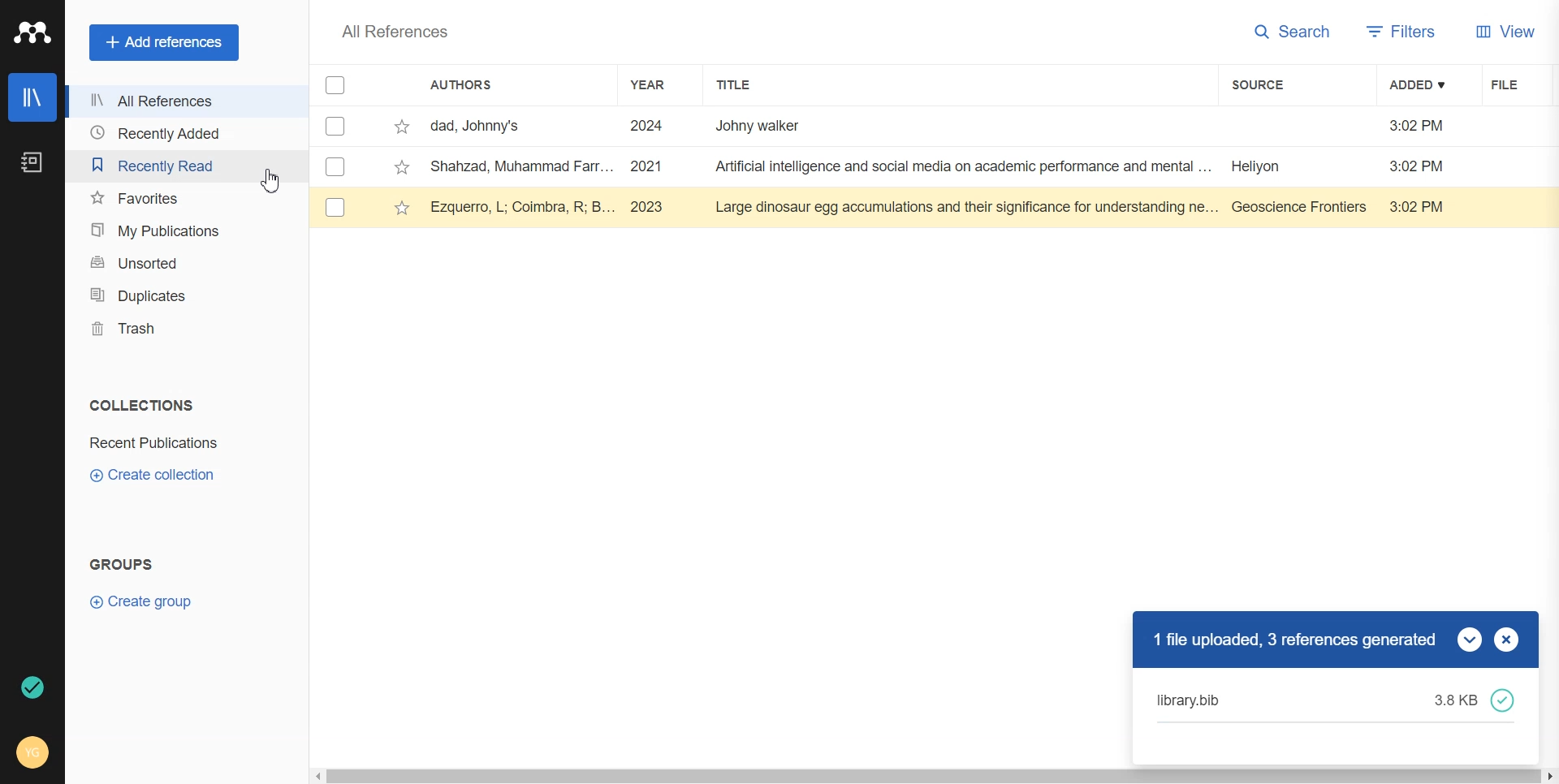  I want to click on Authors, so click(463, 84).